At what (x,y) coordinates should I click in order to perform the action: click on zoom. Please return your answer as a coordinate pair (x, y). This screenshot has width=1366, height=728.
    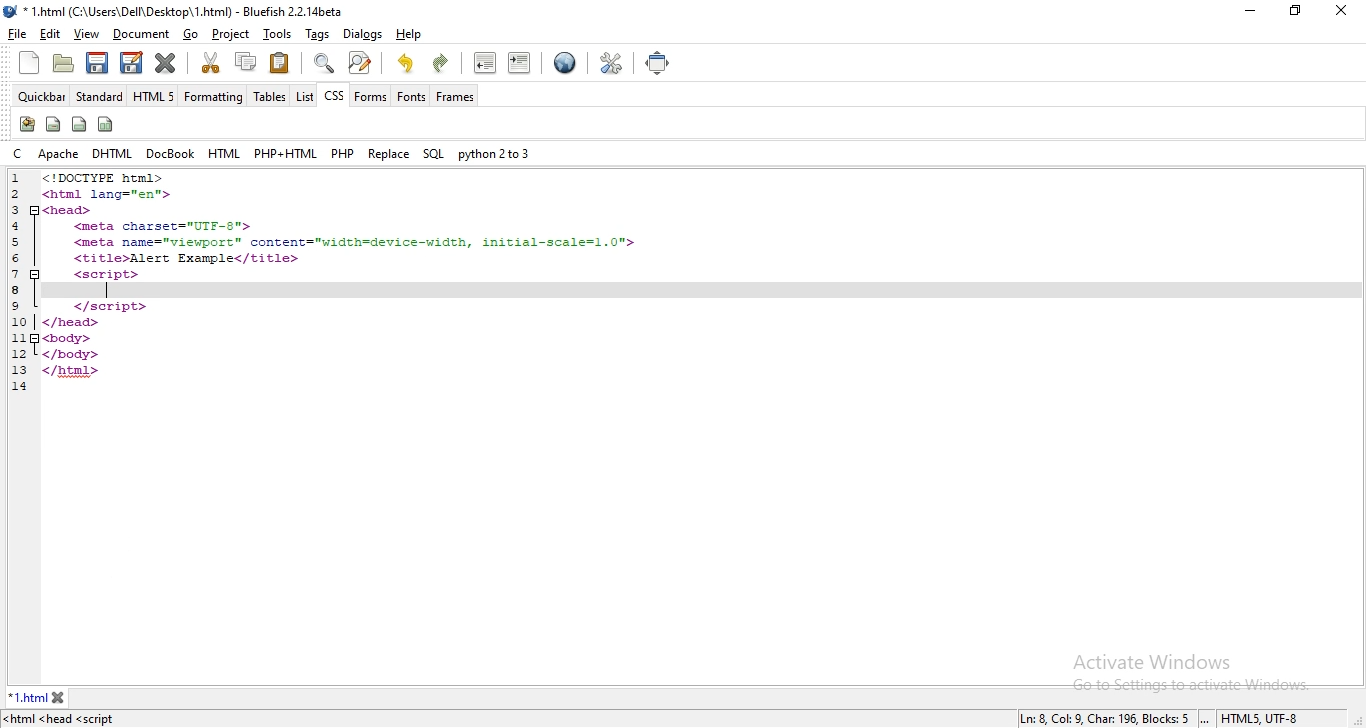
    Looking at the image, I should click on (321, 63).